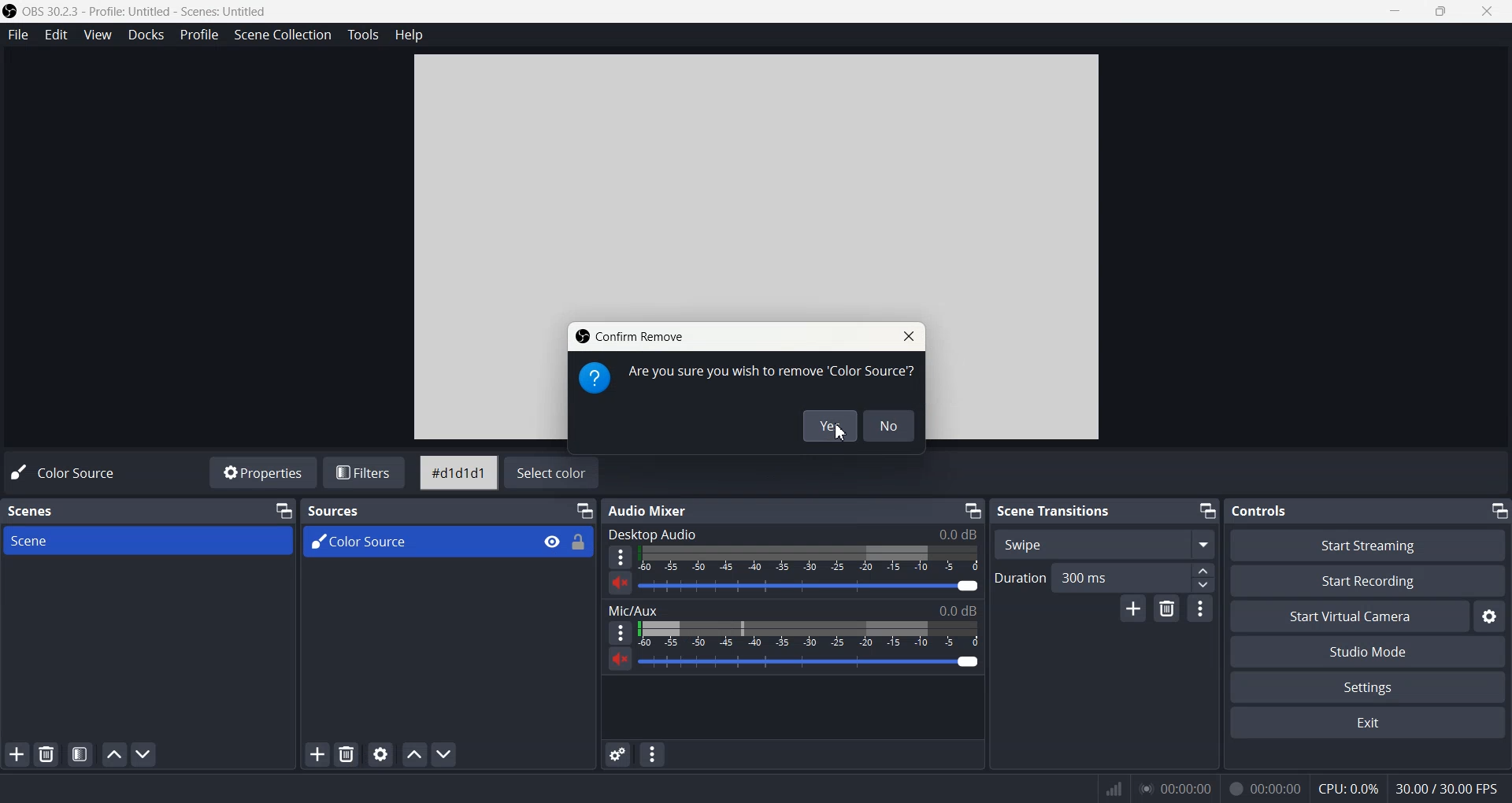  What do you see at coordinates (810, 634) in the screenshot?
I see `Volume Adjuster` at bounding box center [810, 634].